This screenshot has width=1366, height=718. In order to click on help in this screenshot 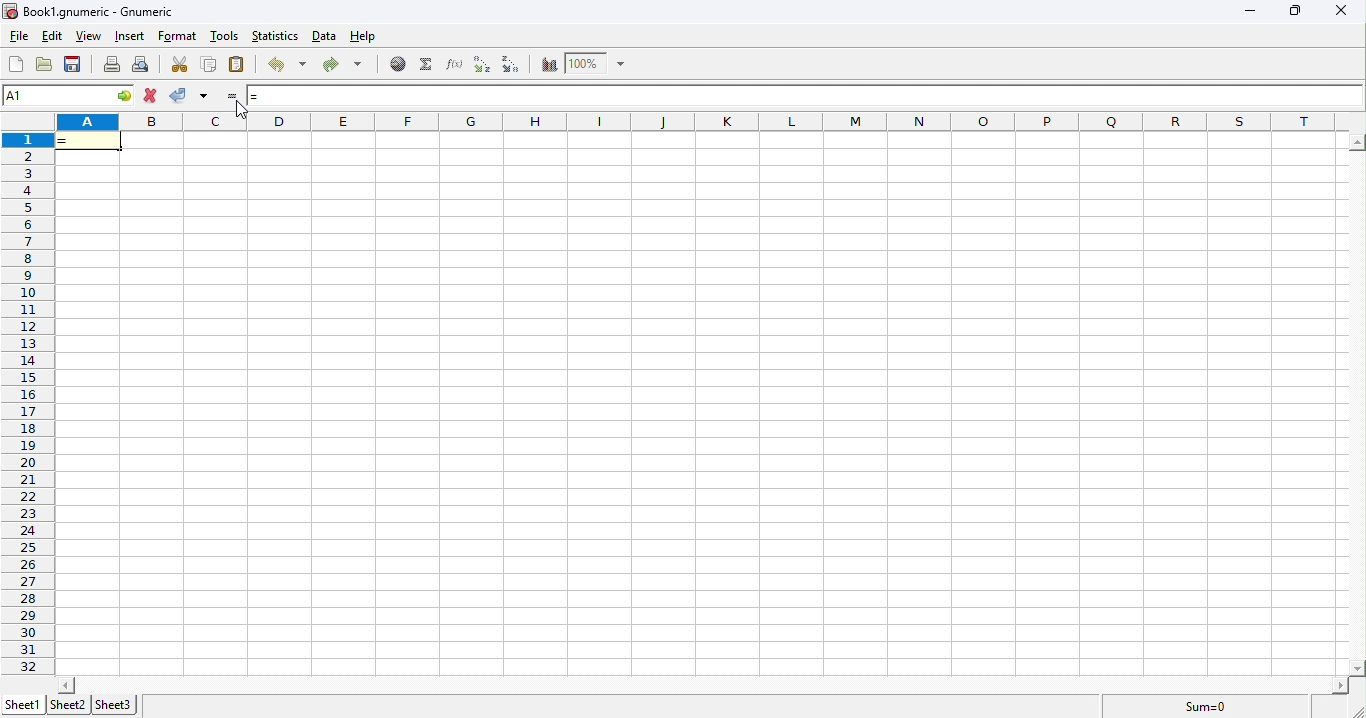, I will do `click(362, 37)`.